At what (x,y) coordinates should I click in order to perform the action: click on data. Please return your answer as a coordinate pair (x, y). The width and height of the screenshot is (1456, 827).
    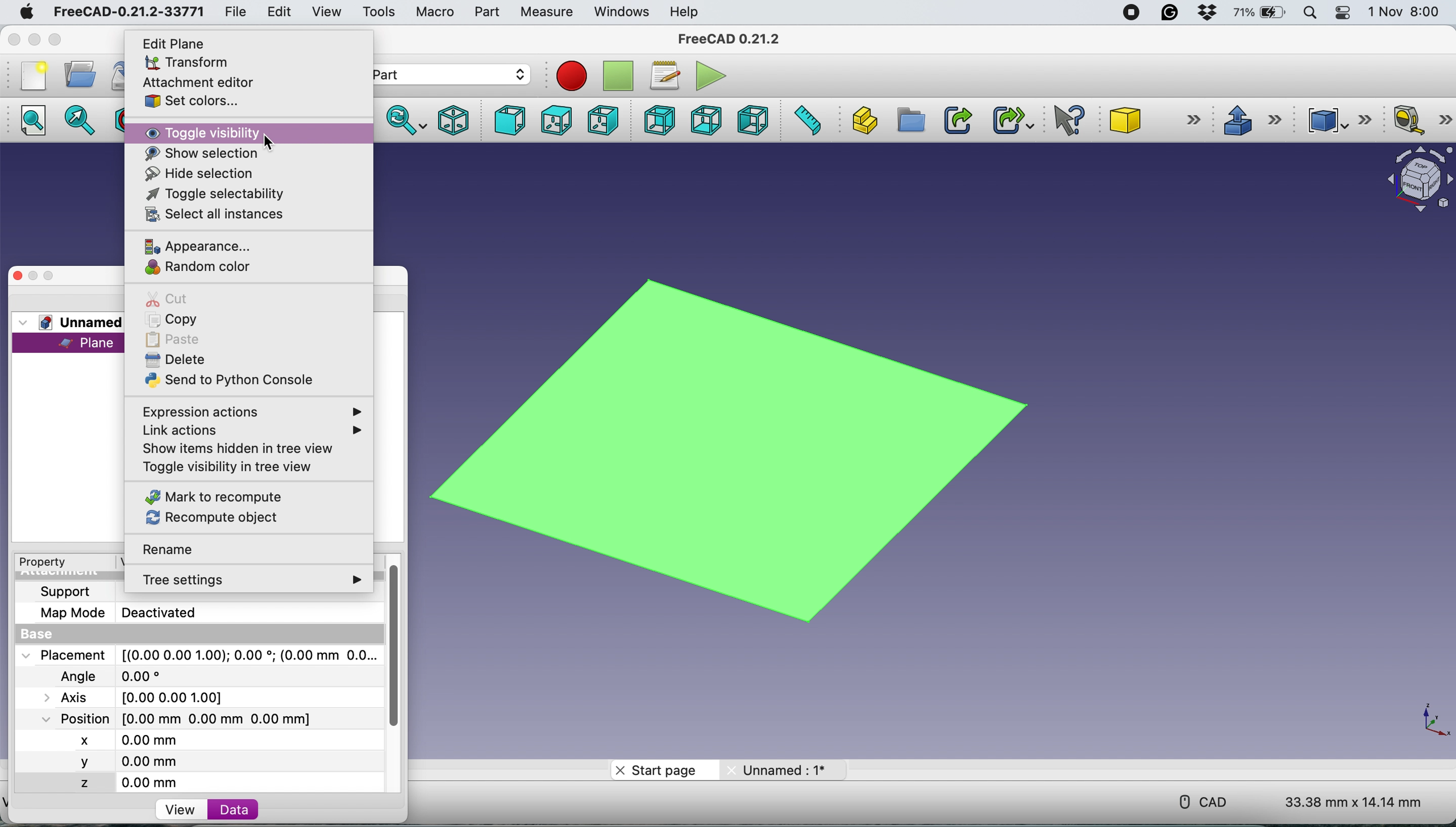
    Looking at the image, I should click on (235, 810).